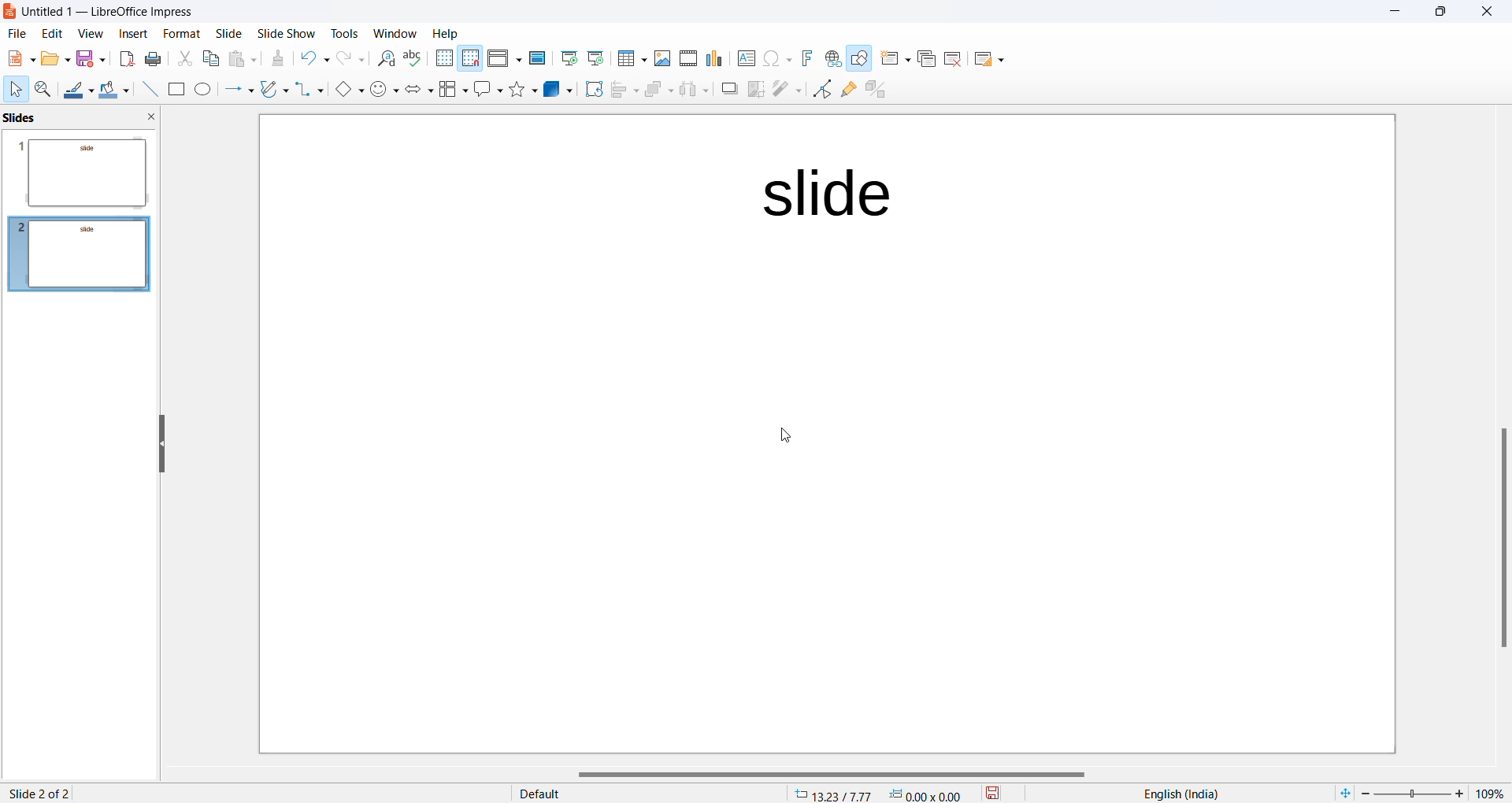  I want to click on Insert text, so click(740, 57).